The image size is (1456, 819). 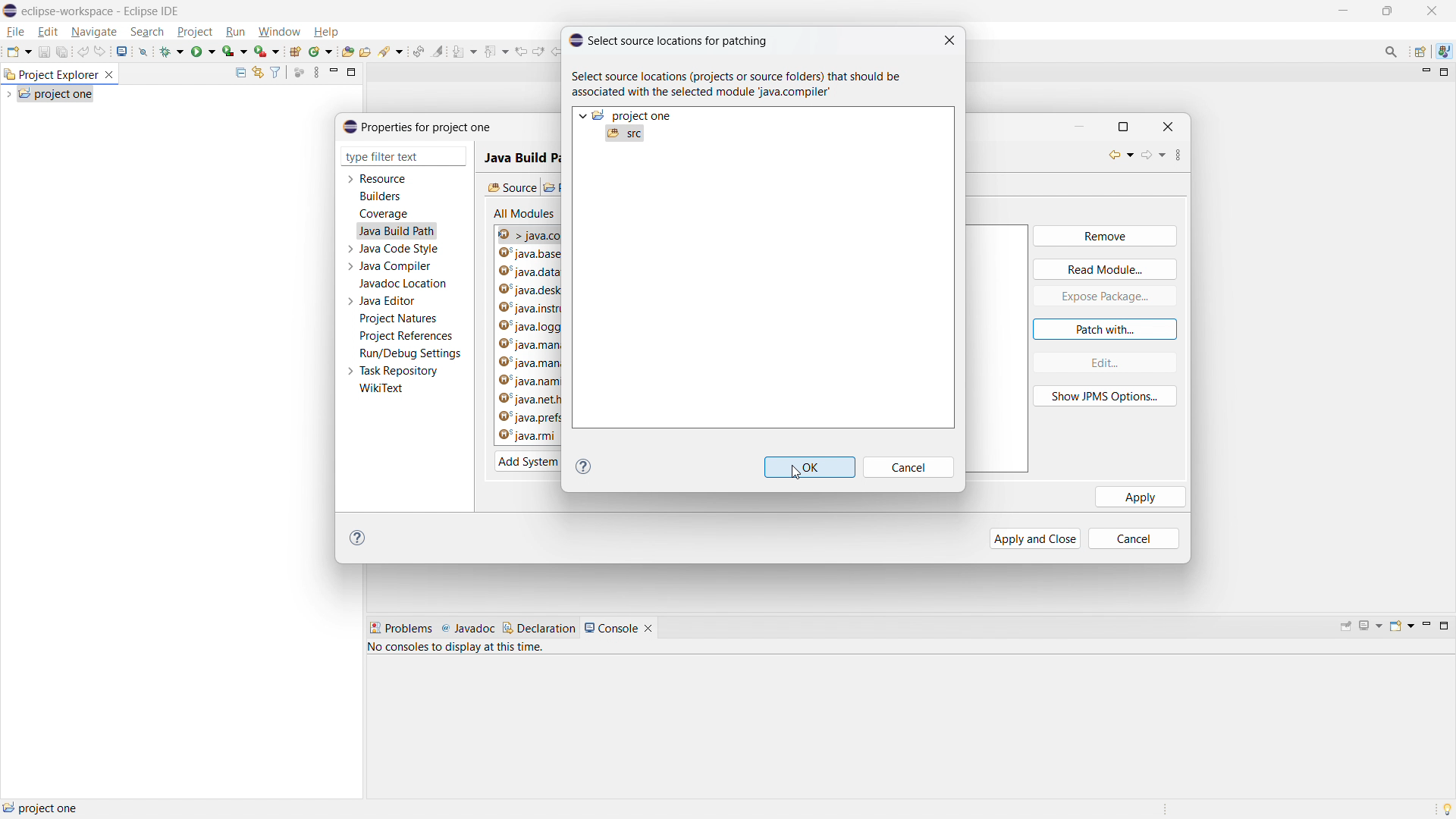 What do you see at coordinates (400, 629) in the screenshot?
I see `problems` at bounding box center [400, 629].